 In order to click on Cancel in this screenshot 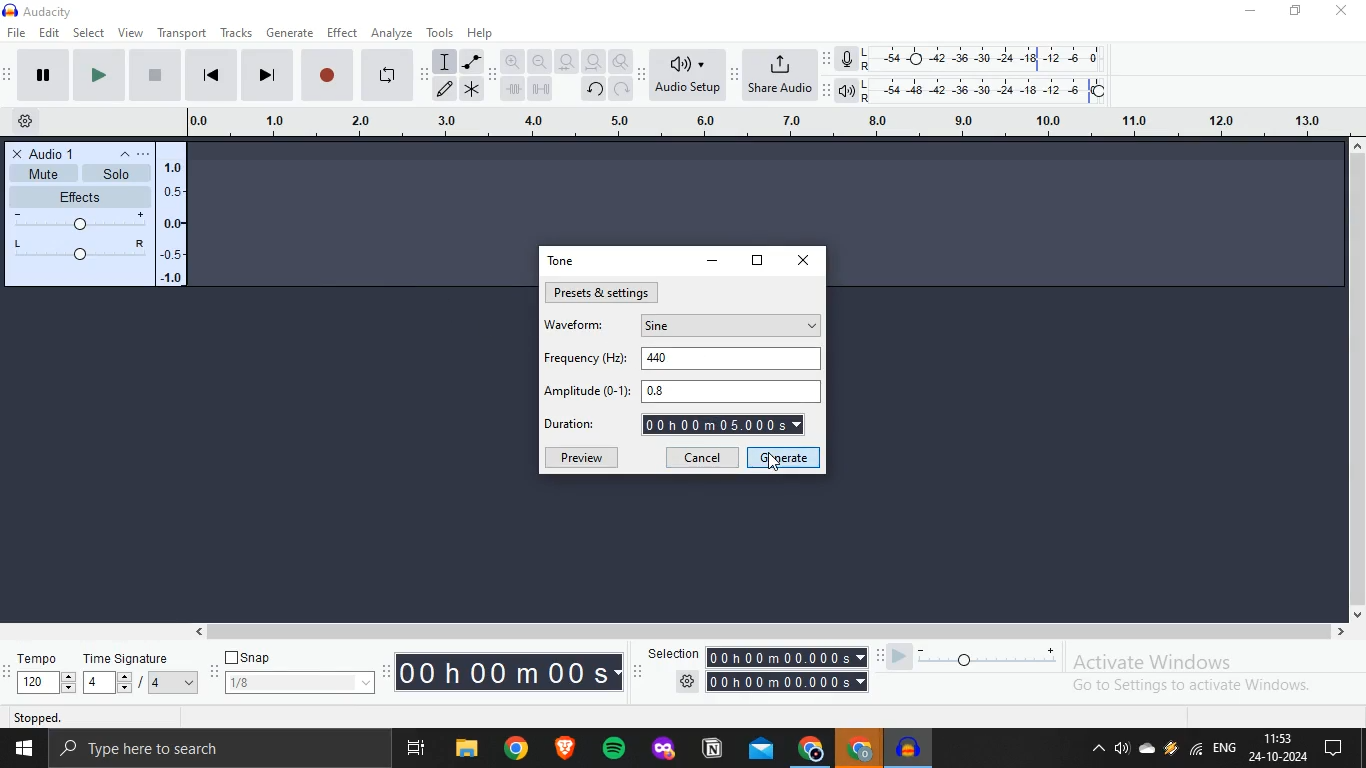, I will do `click(701, 455)`.